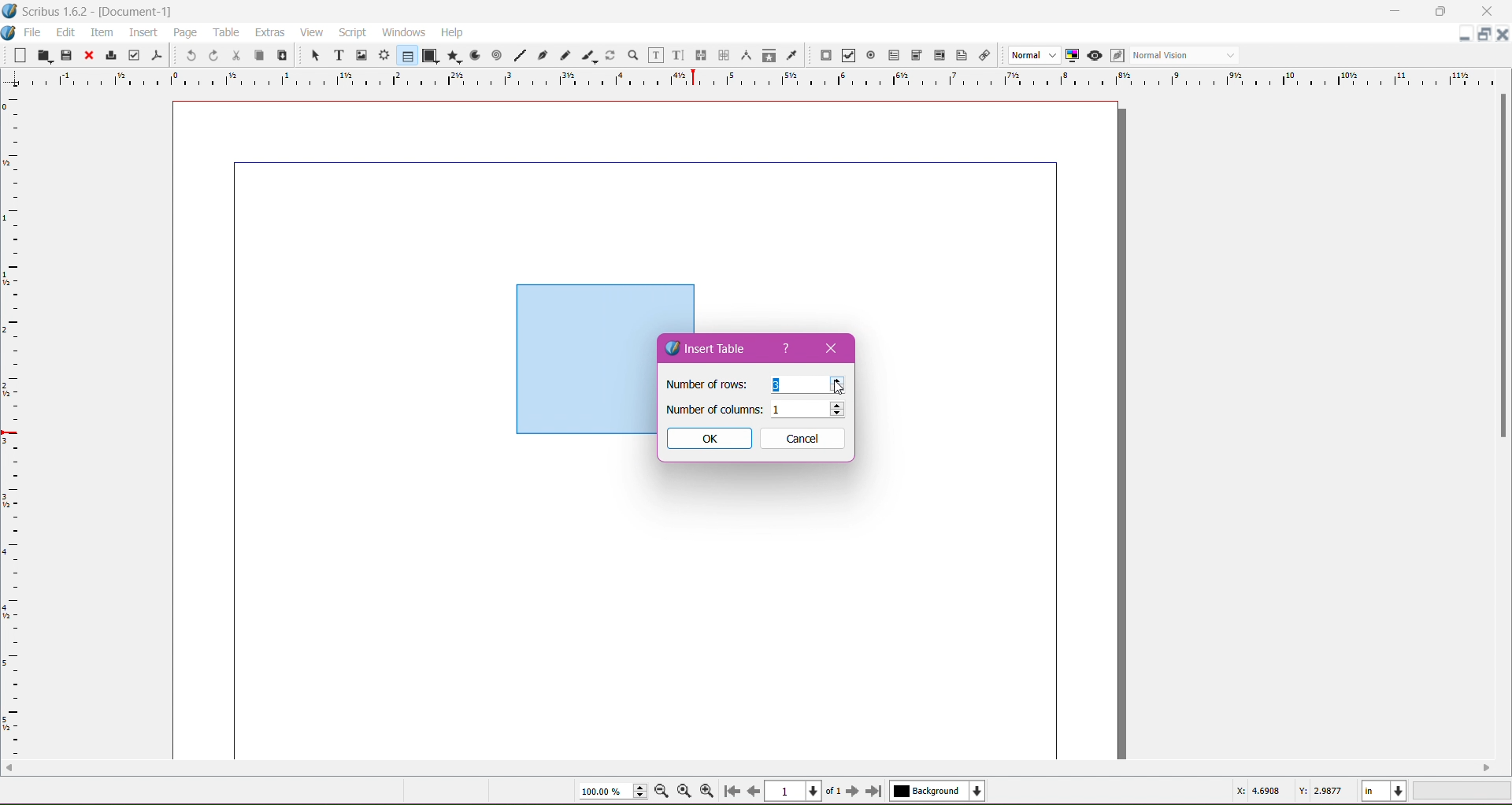 This screenshot has height=805, width=1512. Describe the element at coordinates (402, 32) in the screenshot. I see `Windows` at that location.